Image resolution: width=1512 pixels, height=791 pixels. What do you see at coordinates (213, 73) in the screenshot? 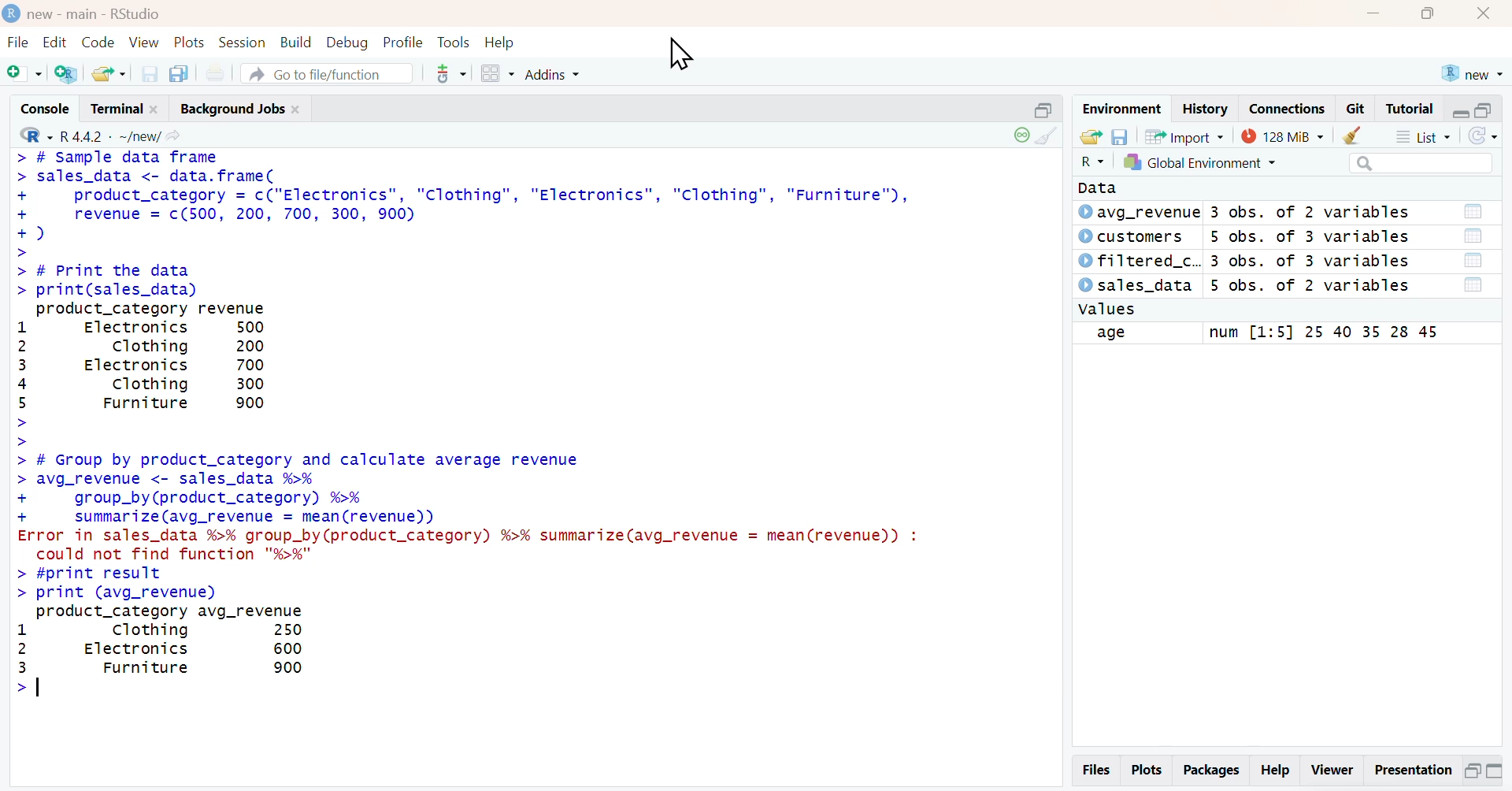
I see `Print the current file` at bounding box center [213, 73].